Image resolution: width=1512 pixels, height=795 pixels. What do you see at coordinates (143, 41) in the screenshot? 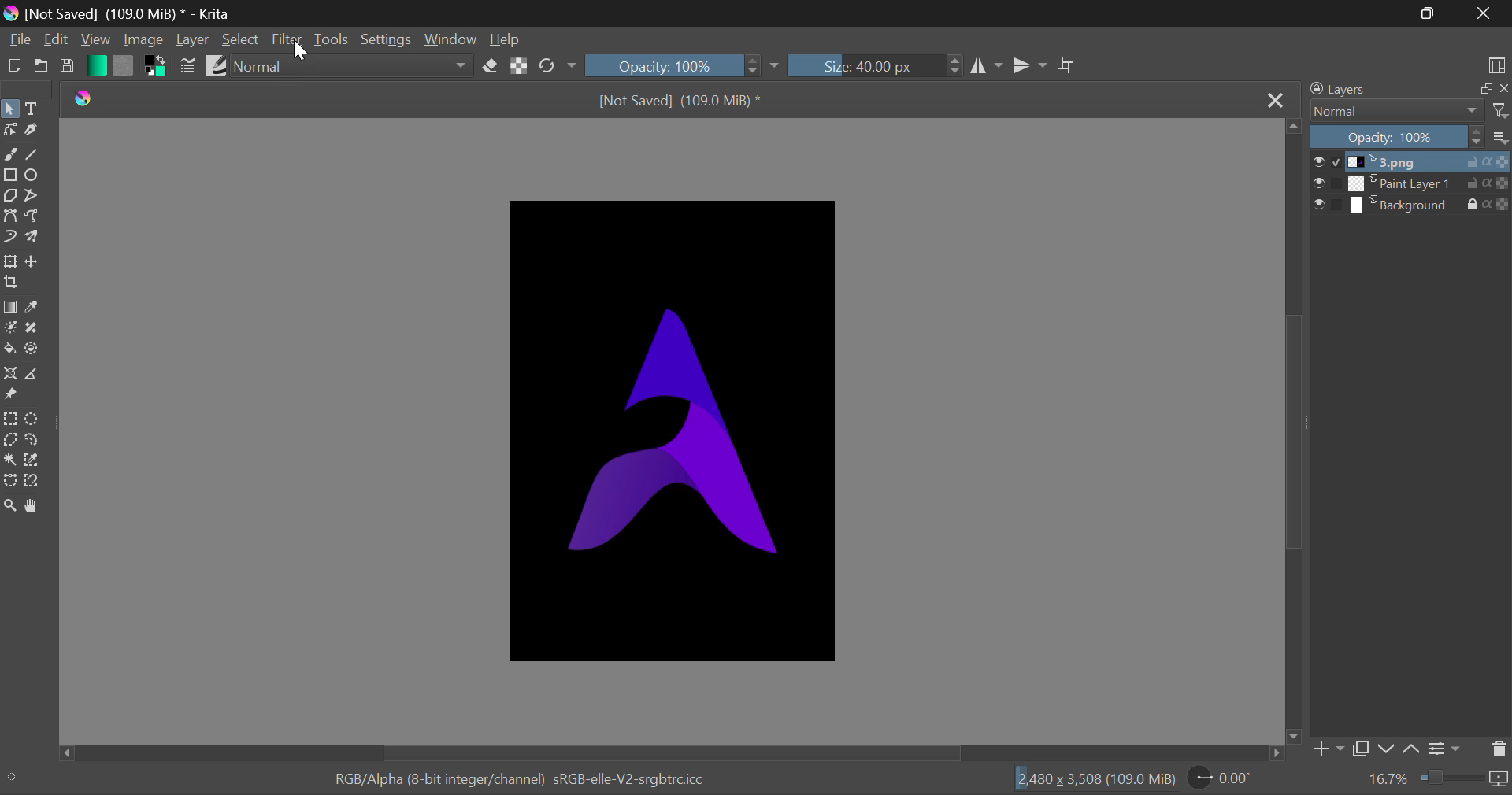
I see `Image` at bounding box center [143, 41].